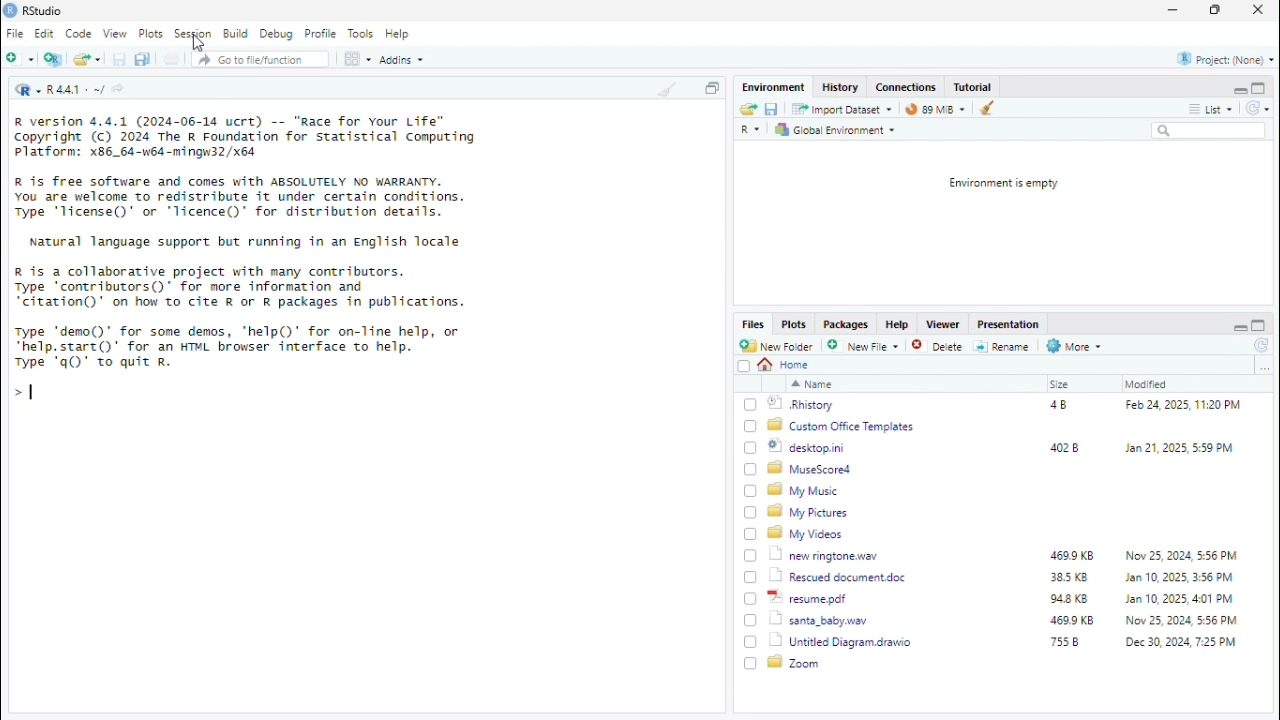 The image size is (1280, 720). I want to click on R, so click(752, 130).